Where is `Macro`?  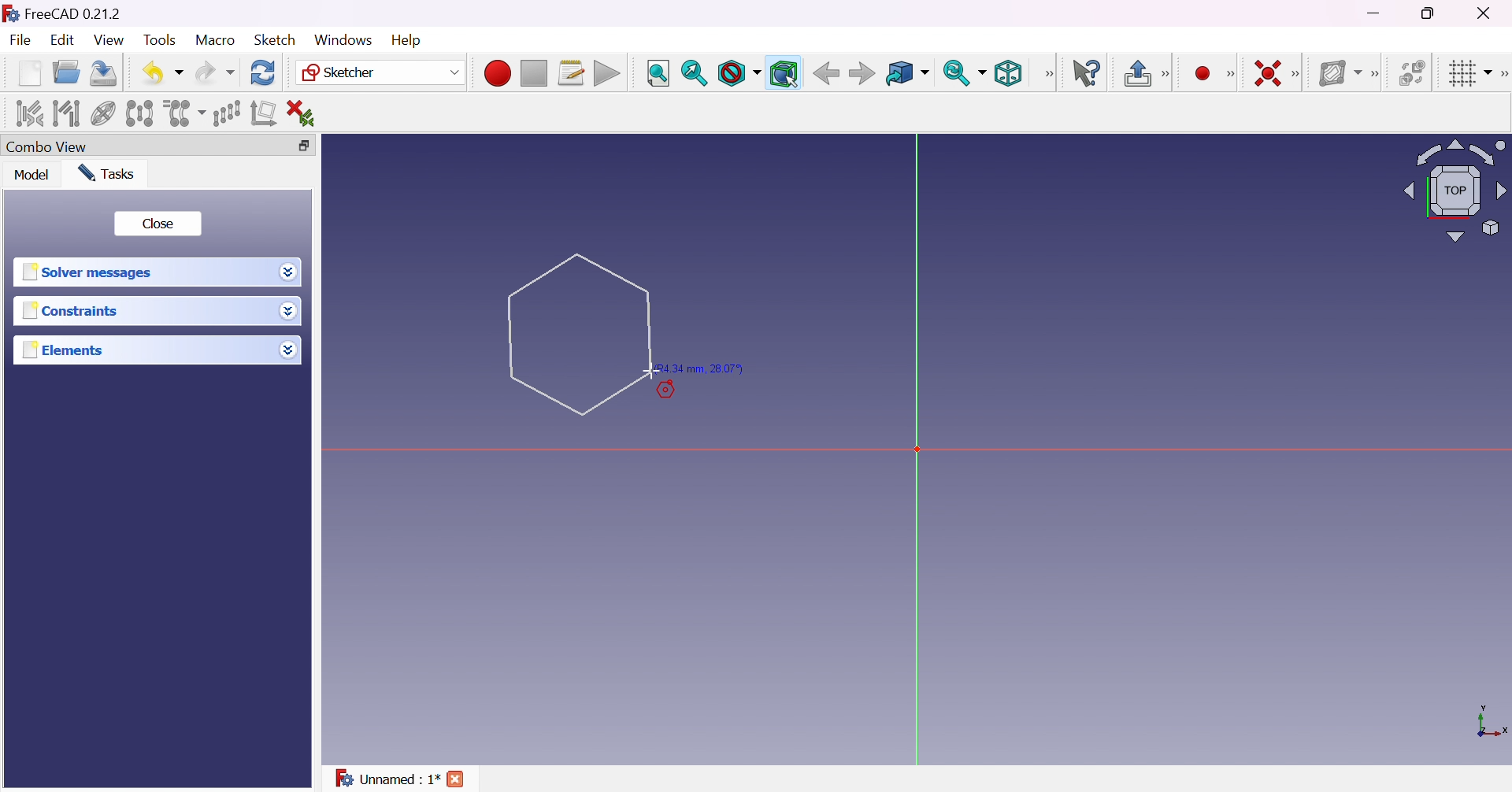 Macro is located at coordinates (216, 40).